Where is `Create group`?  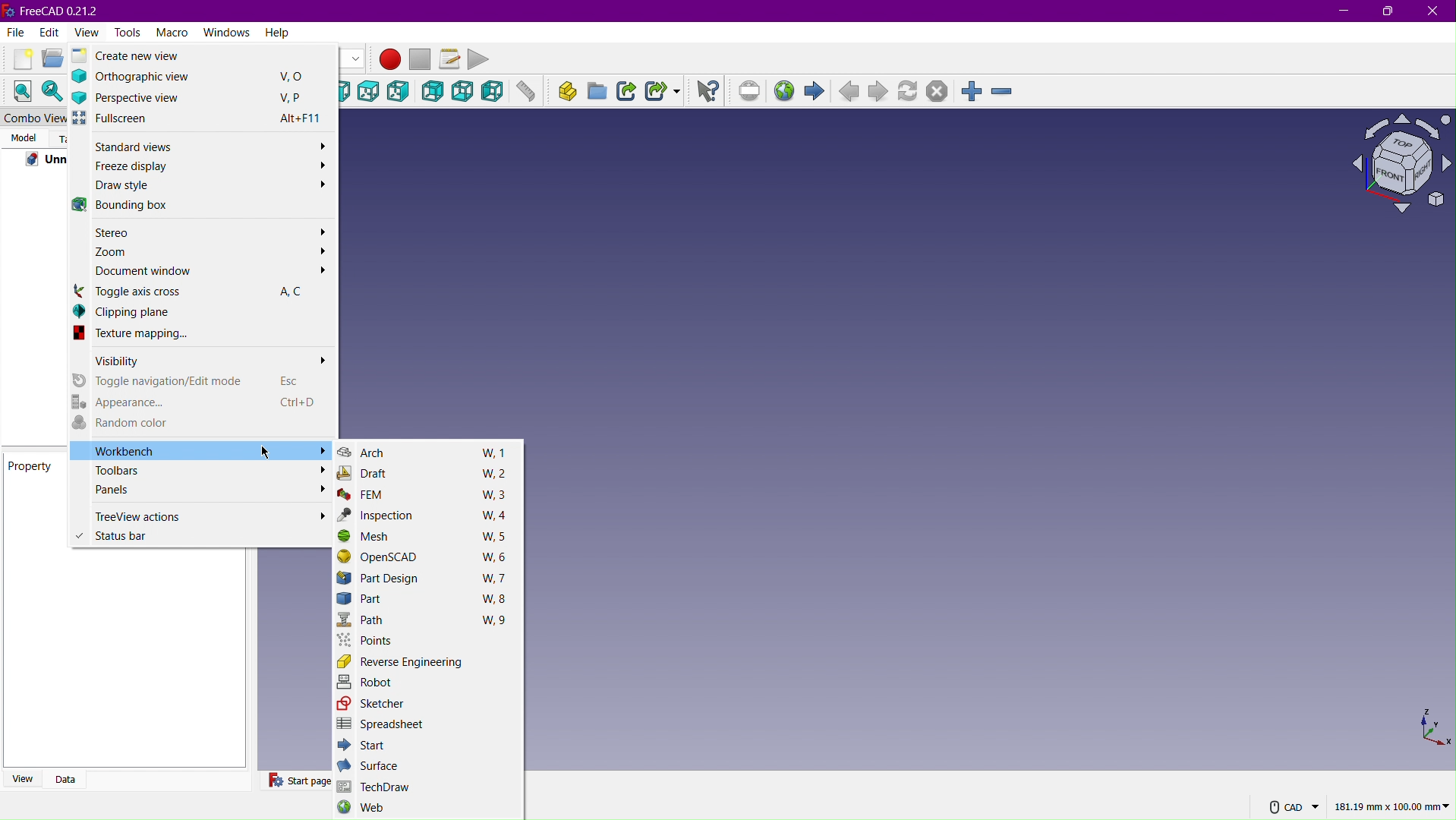 Create group is located at coordinates (597, 93).